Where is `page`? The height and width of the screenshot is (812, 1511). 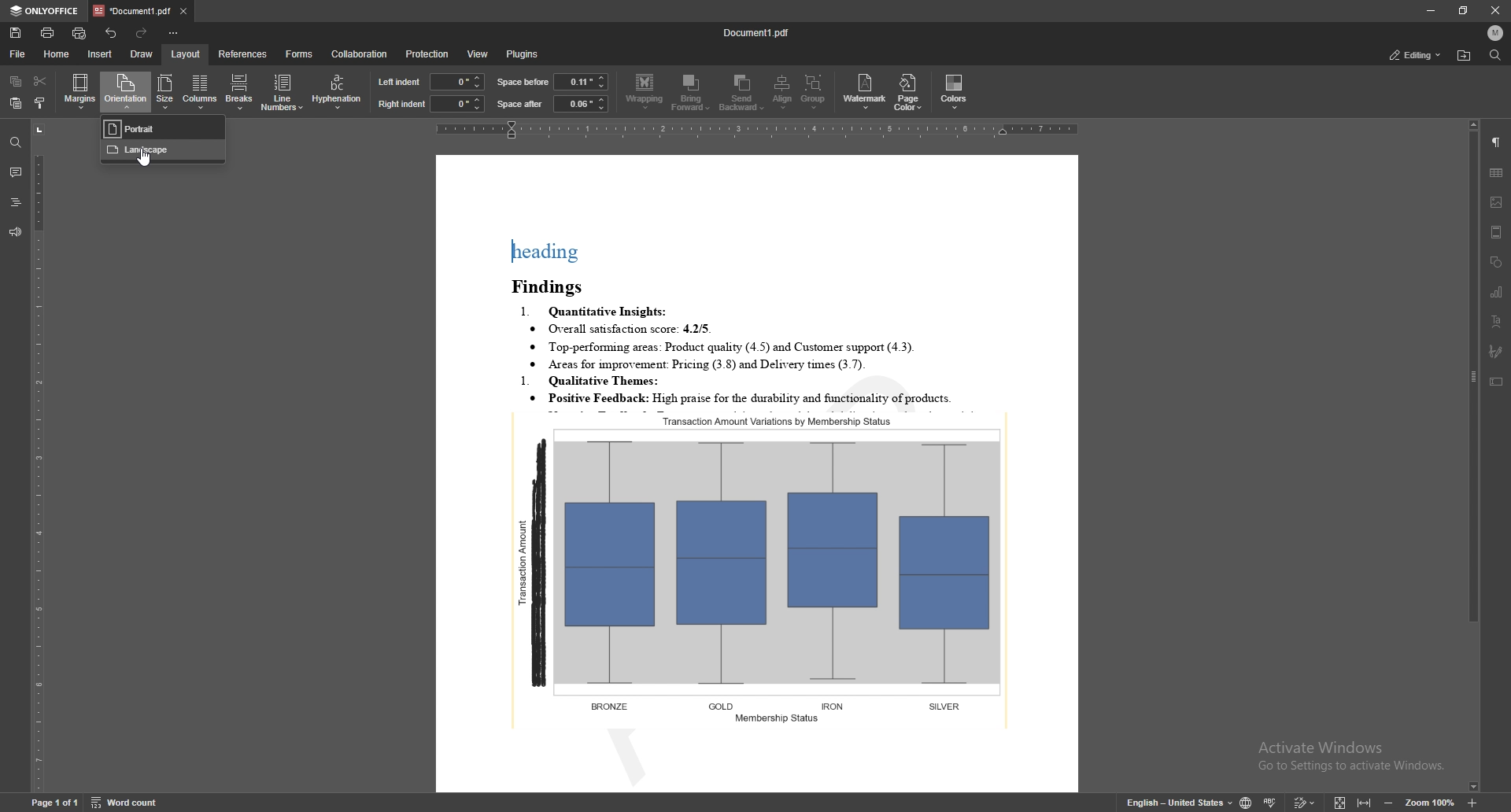
page is located at coordinates (53, 802).